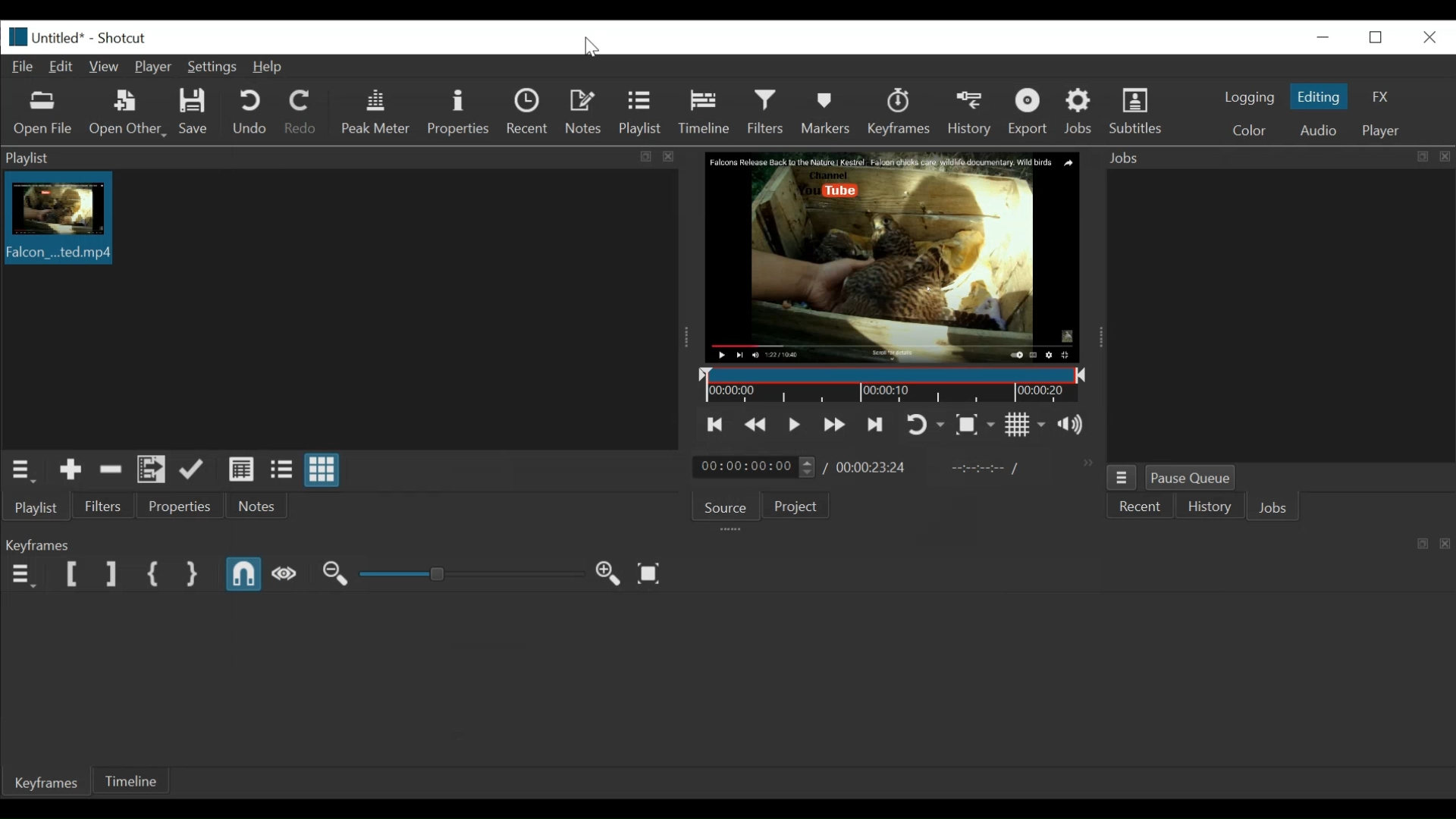 The width and height of the screenshot is (1456, 819). What do you see at coordinates (644, 115) in the screenshot?
I see `Playlist` at bounding box center [644, 115].